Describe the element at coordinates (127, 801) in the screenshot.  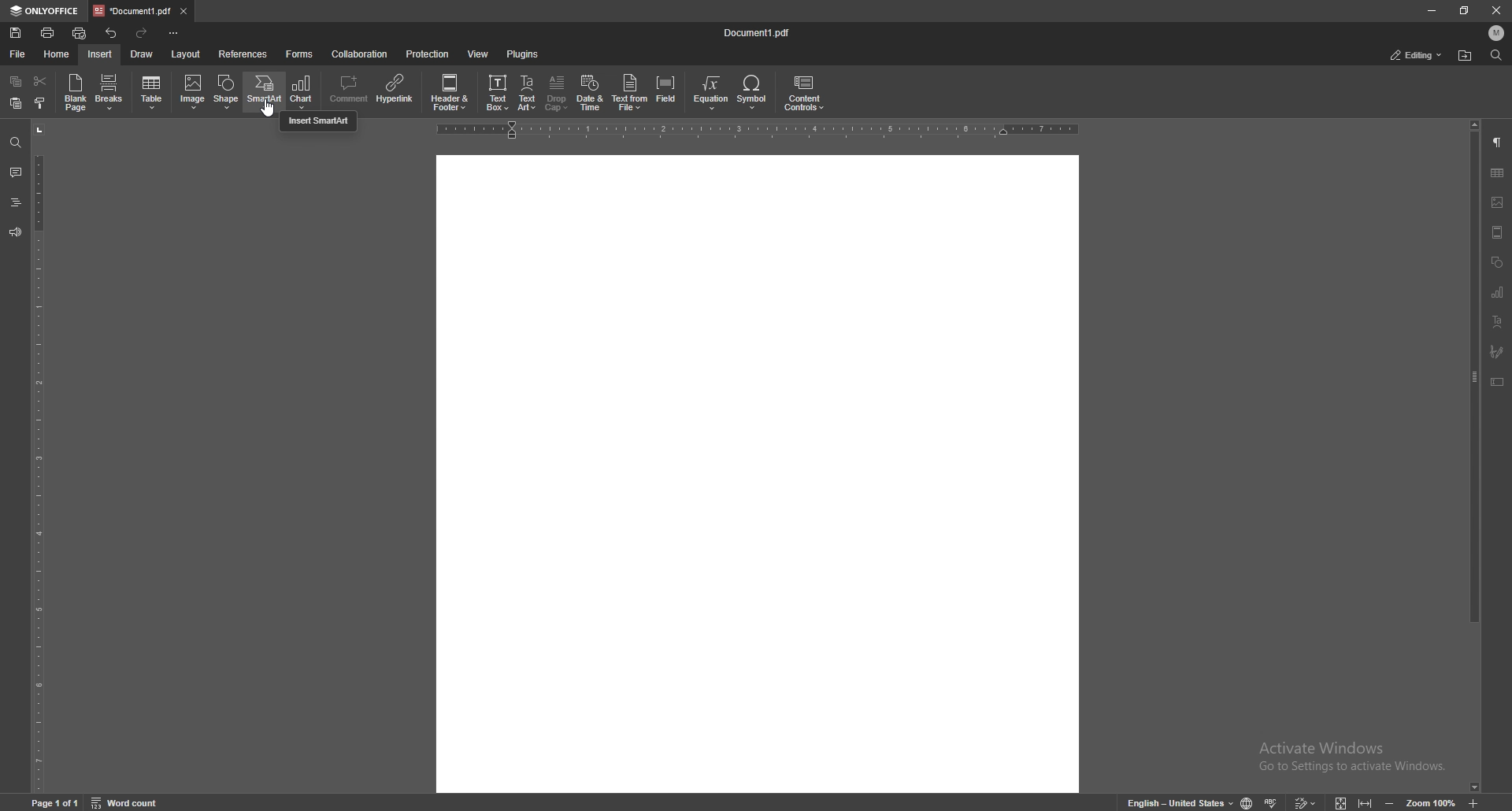
I see `word count` at that location.